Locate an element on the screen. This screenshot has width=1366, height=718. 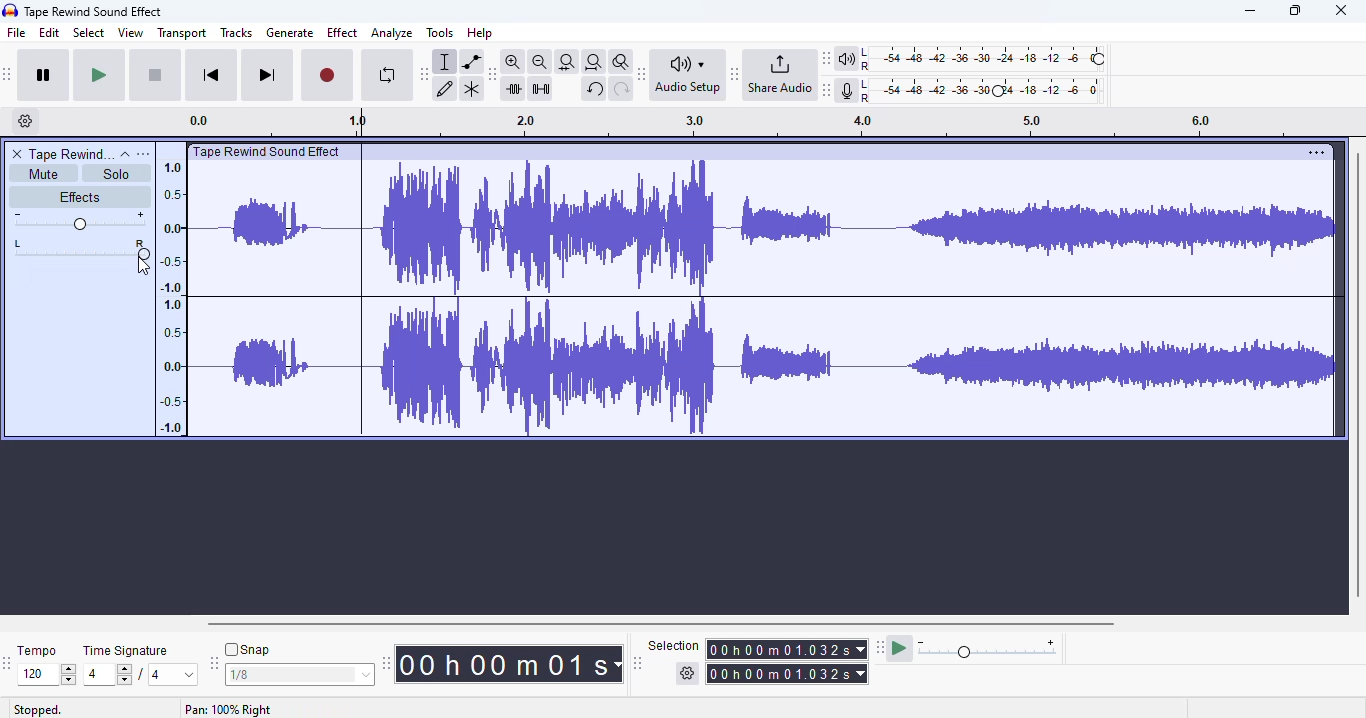
transport is located at coordinates (182, 33).